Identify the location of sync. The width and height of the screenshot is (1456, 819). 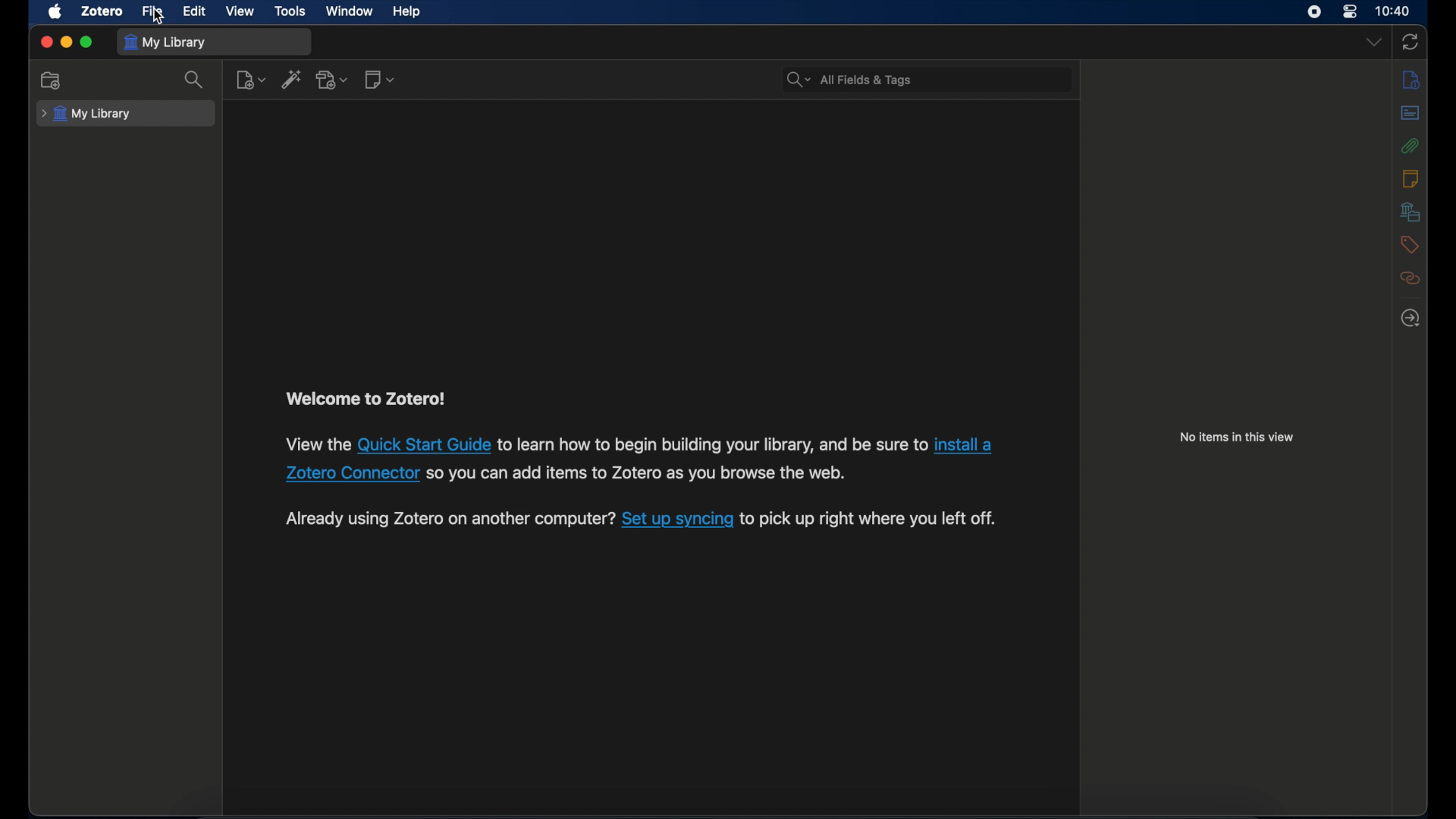
(1410, 43).